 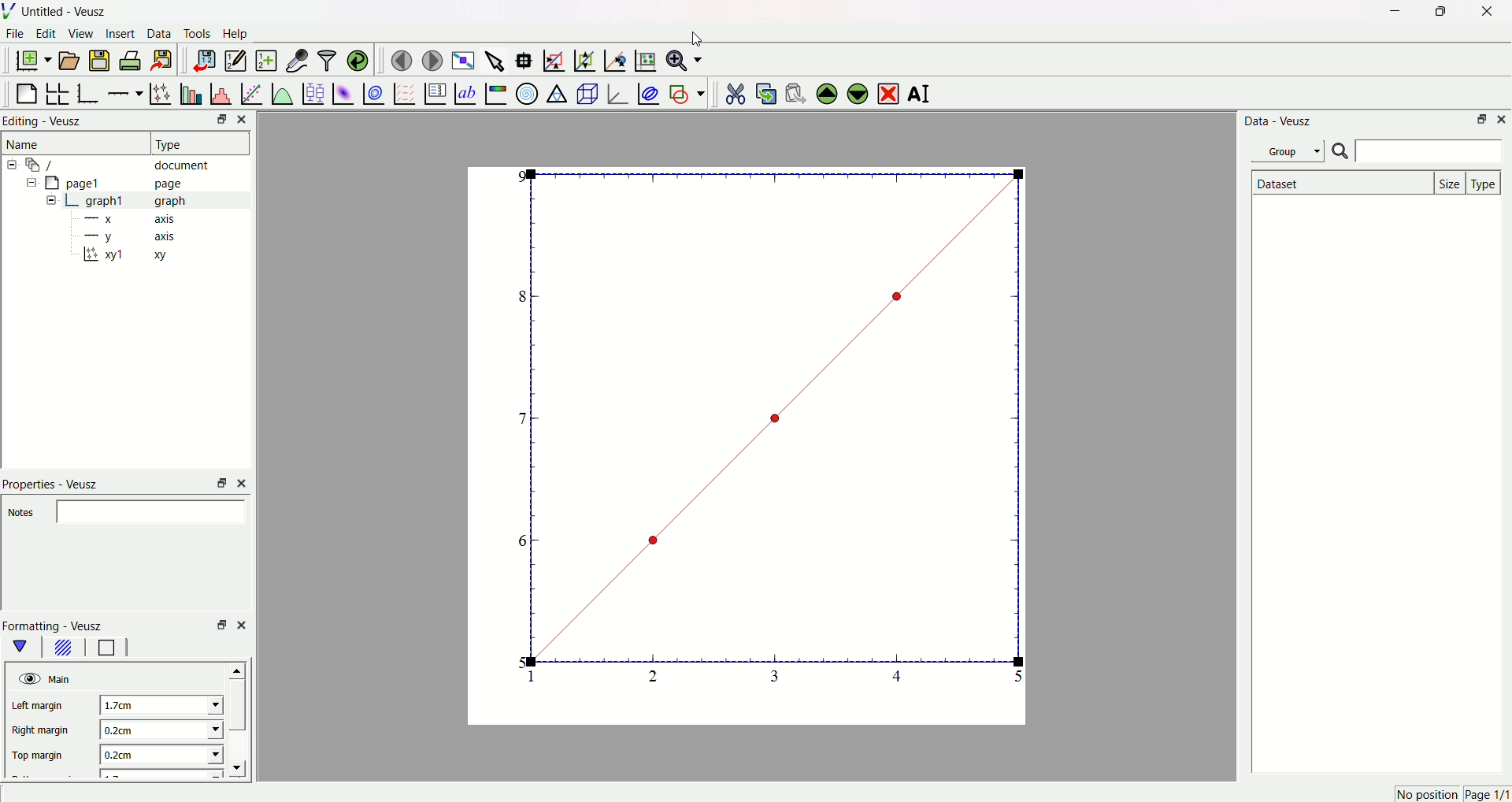 What do you see at coordinates (22, 514) in the screenshot?
I see `Notes.` at bounding box center [22, 514].